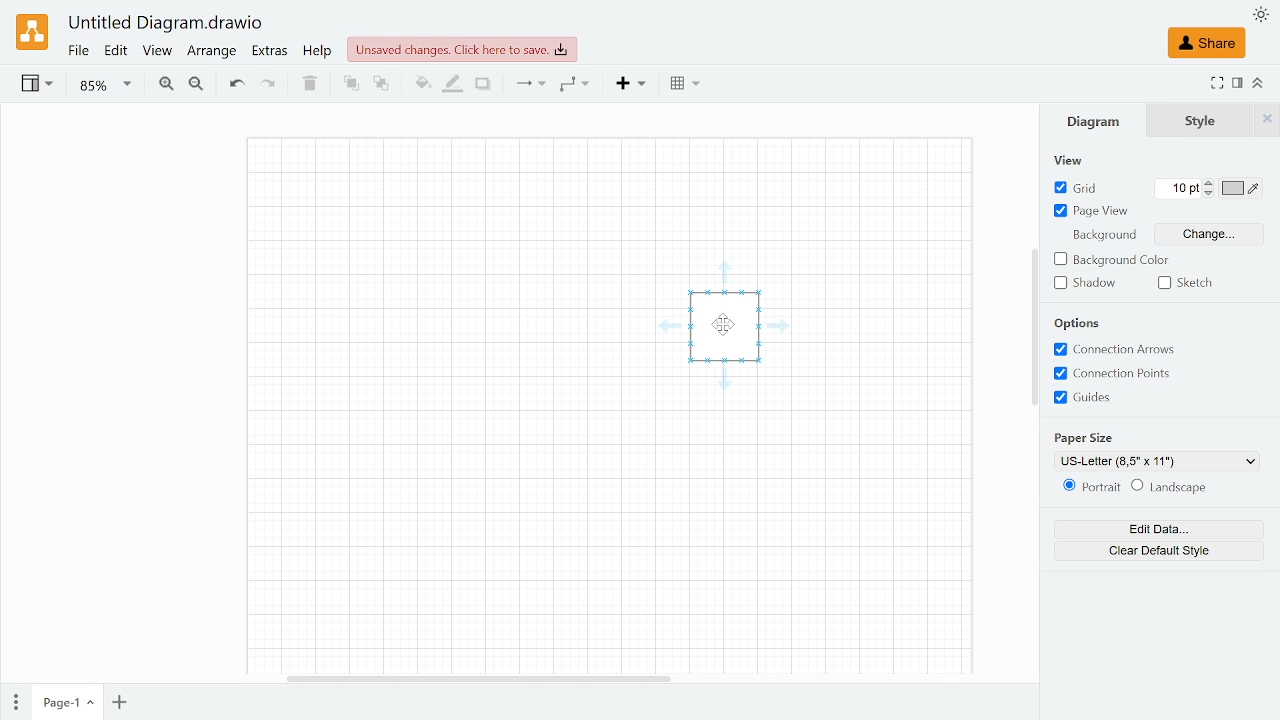  Describe the element at coordinates (1086, 398) in the screenshot. I see `Guides` at that location.